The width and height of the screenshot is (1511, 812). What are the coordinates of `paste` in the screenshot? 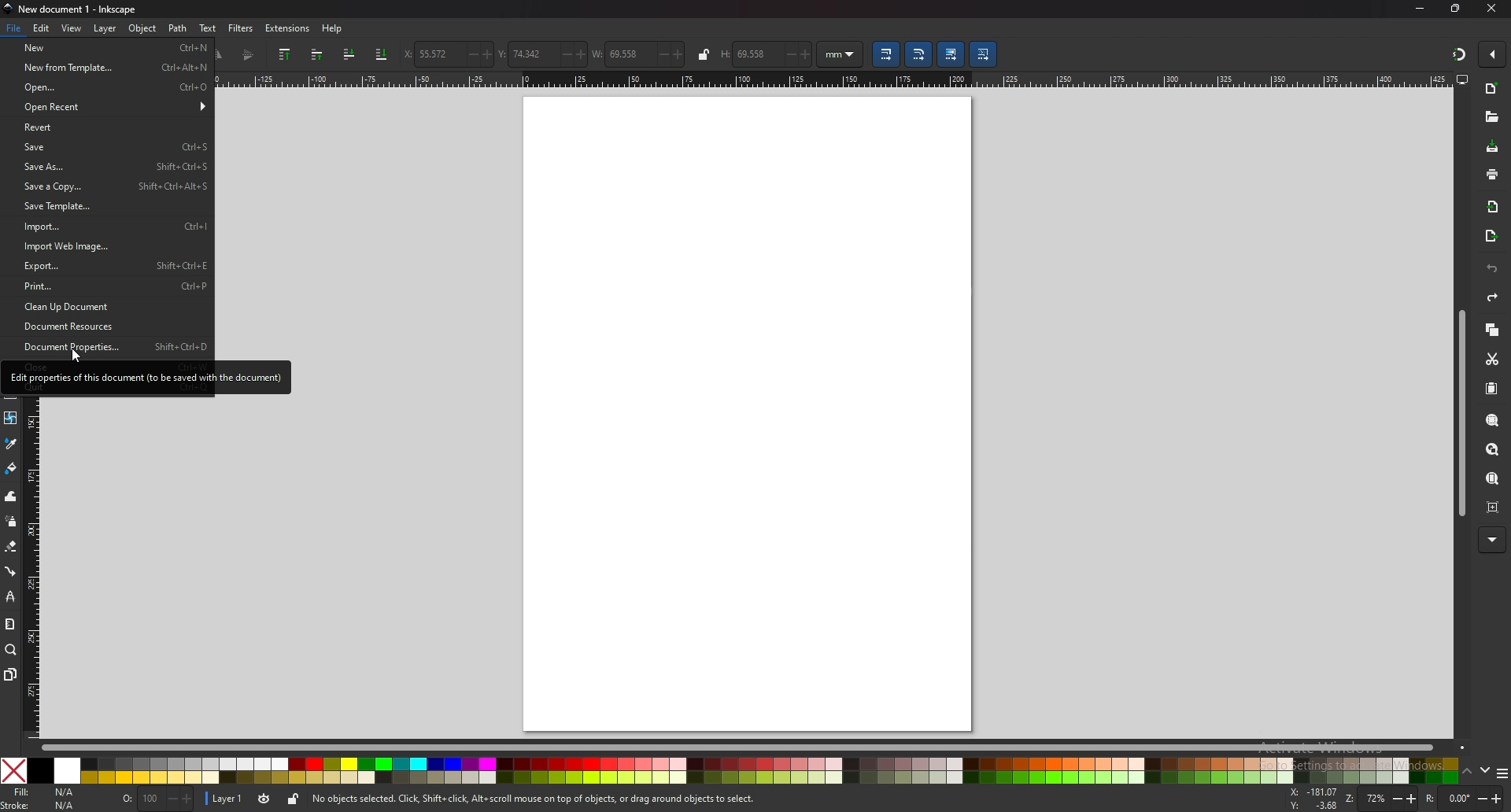 It's located at (1493, 389).